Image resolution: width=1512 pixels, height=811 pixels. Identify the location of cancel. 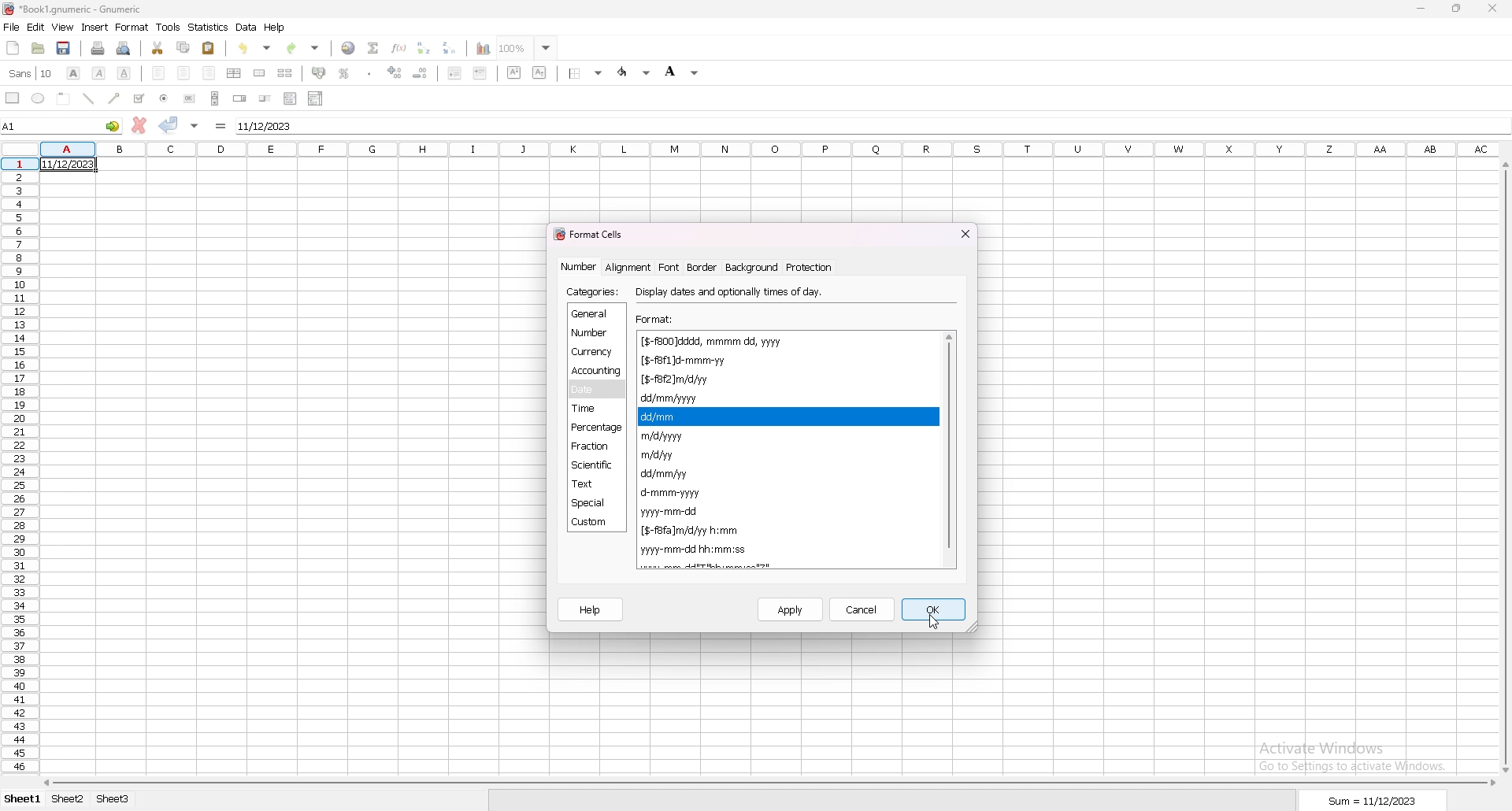
(862, 609).